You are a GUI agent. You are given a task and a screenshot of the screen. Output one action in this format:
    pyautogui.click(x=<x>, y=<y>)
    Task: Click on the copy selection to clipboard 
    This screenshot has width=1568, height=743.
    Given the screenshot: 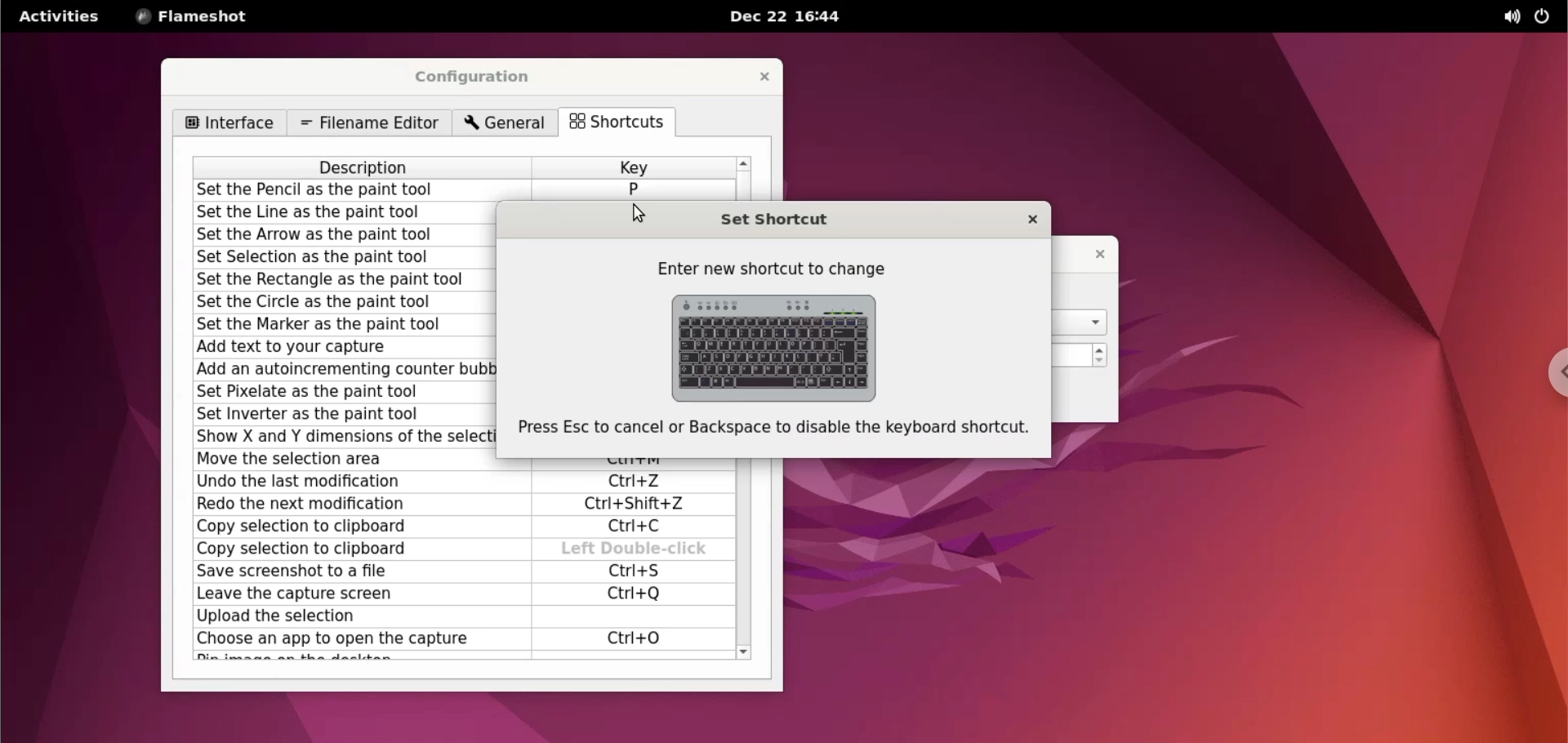 What is the action you would take?
    pyautogui.click(x=355, y=529)
    